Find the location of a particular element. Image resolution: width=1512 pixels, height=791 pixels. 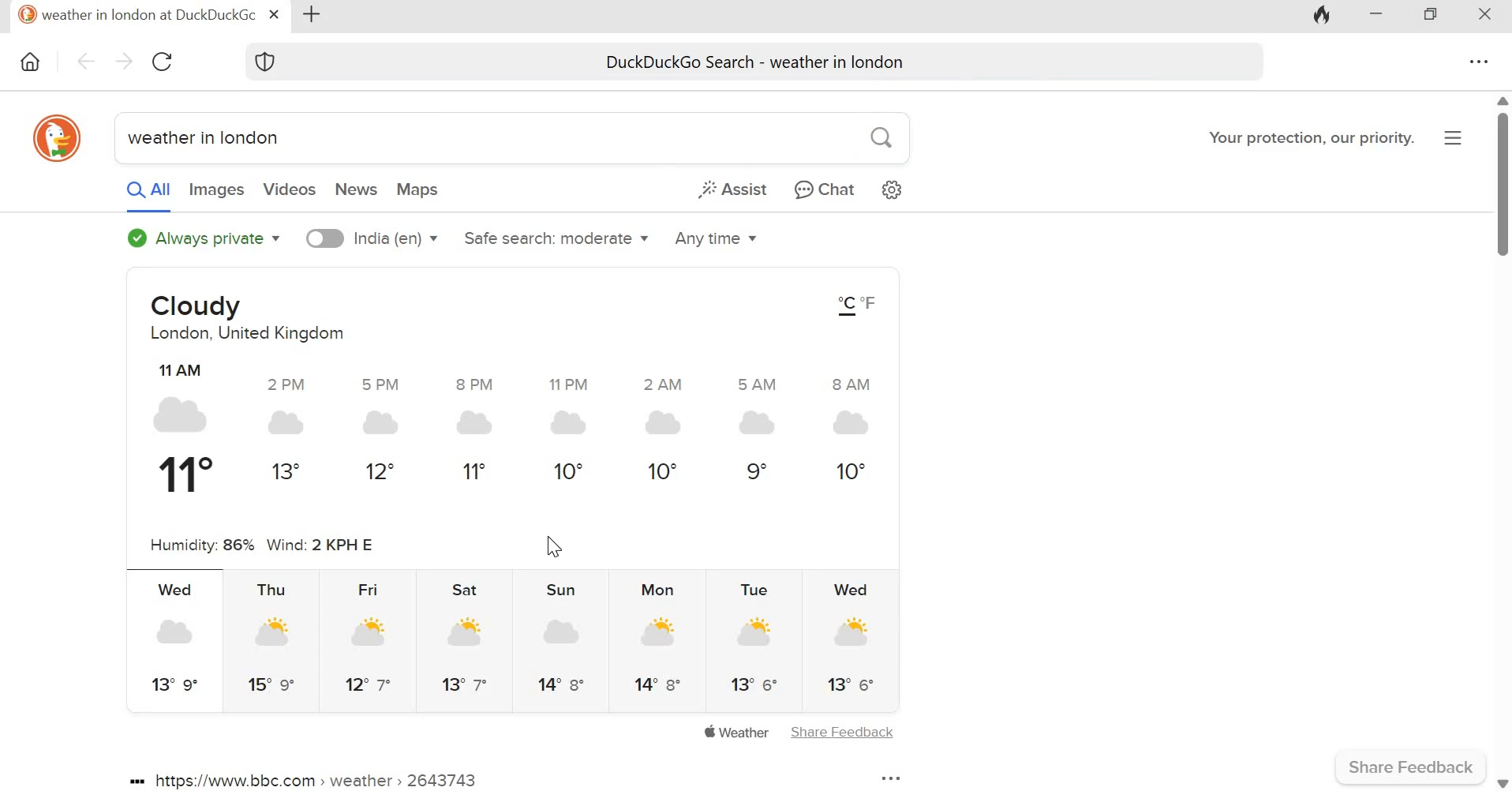

8 AM is located at coordinates (851, 384).